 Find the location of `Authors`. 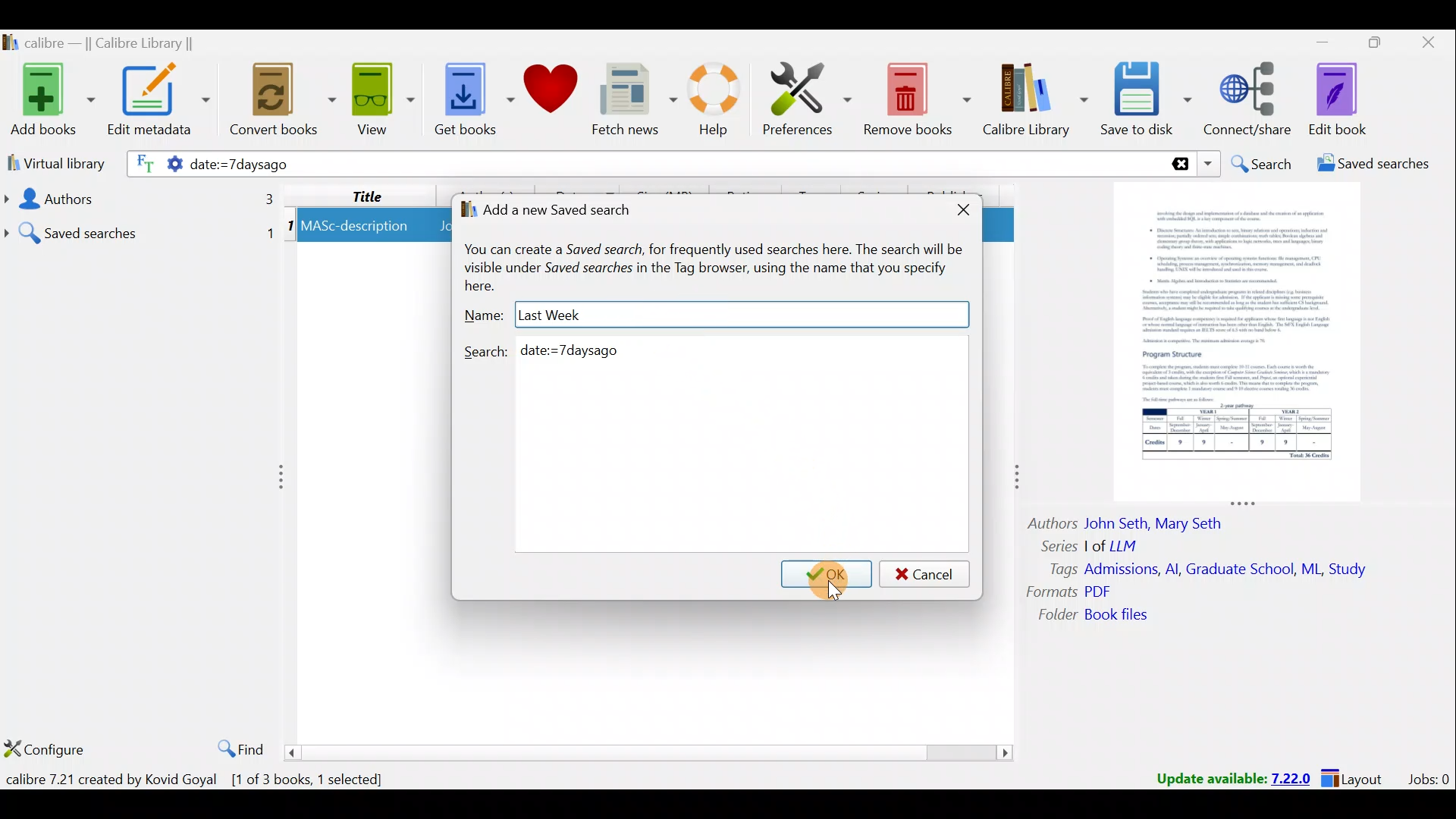

Authors is located at coordinates (137, 199).